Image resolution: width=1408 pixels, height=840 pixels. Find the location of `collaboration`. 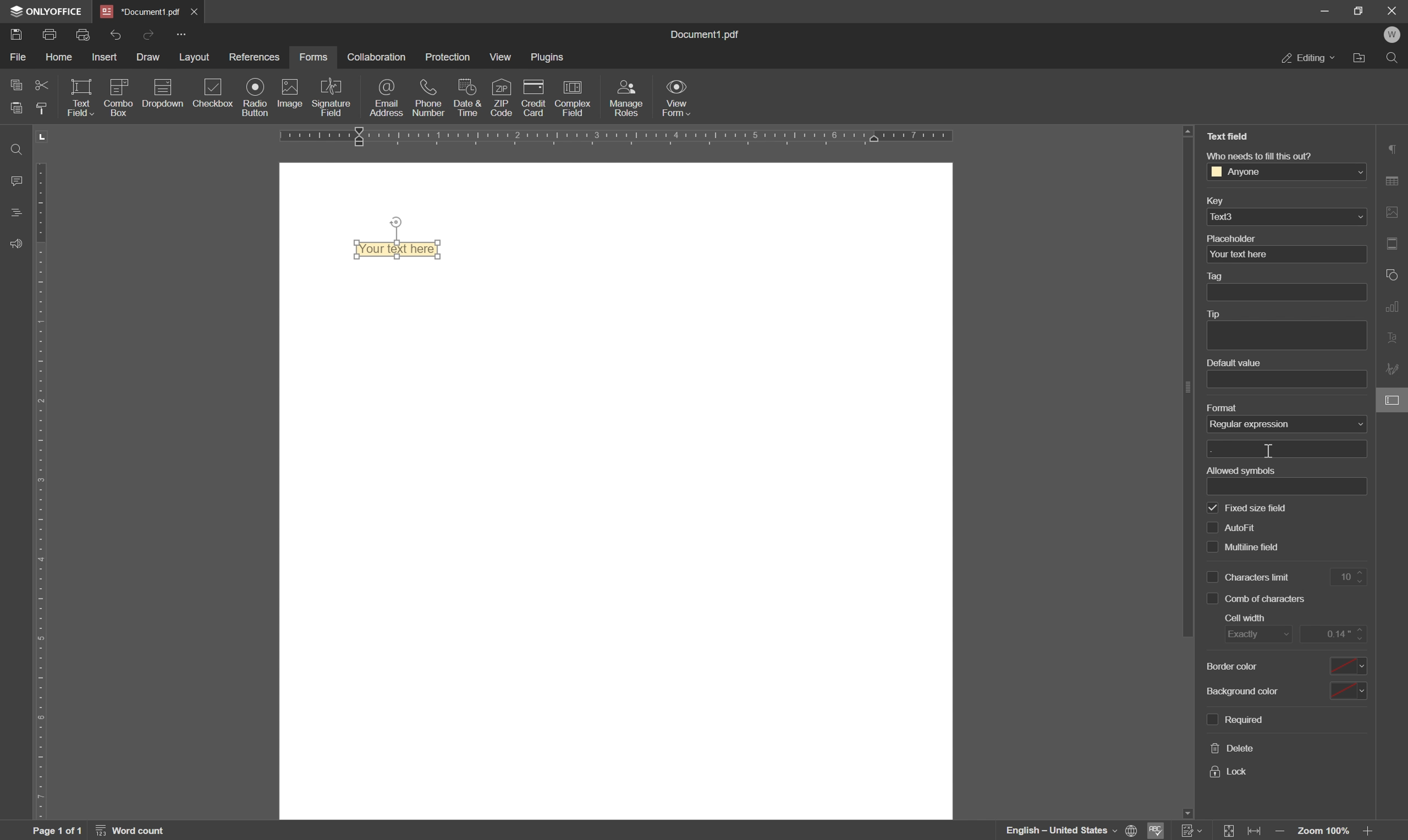

collaboration is located at coordinates (375, 57).